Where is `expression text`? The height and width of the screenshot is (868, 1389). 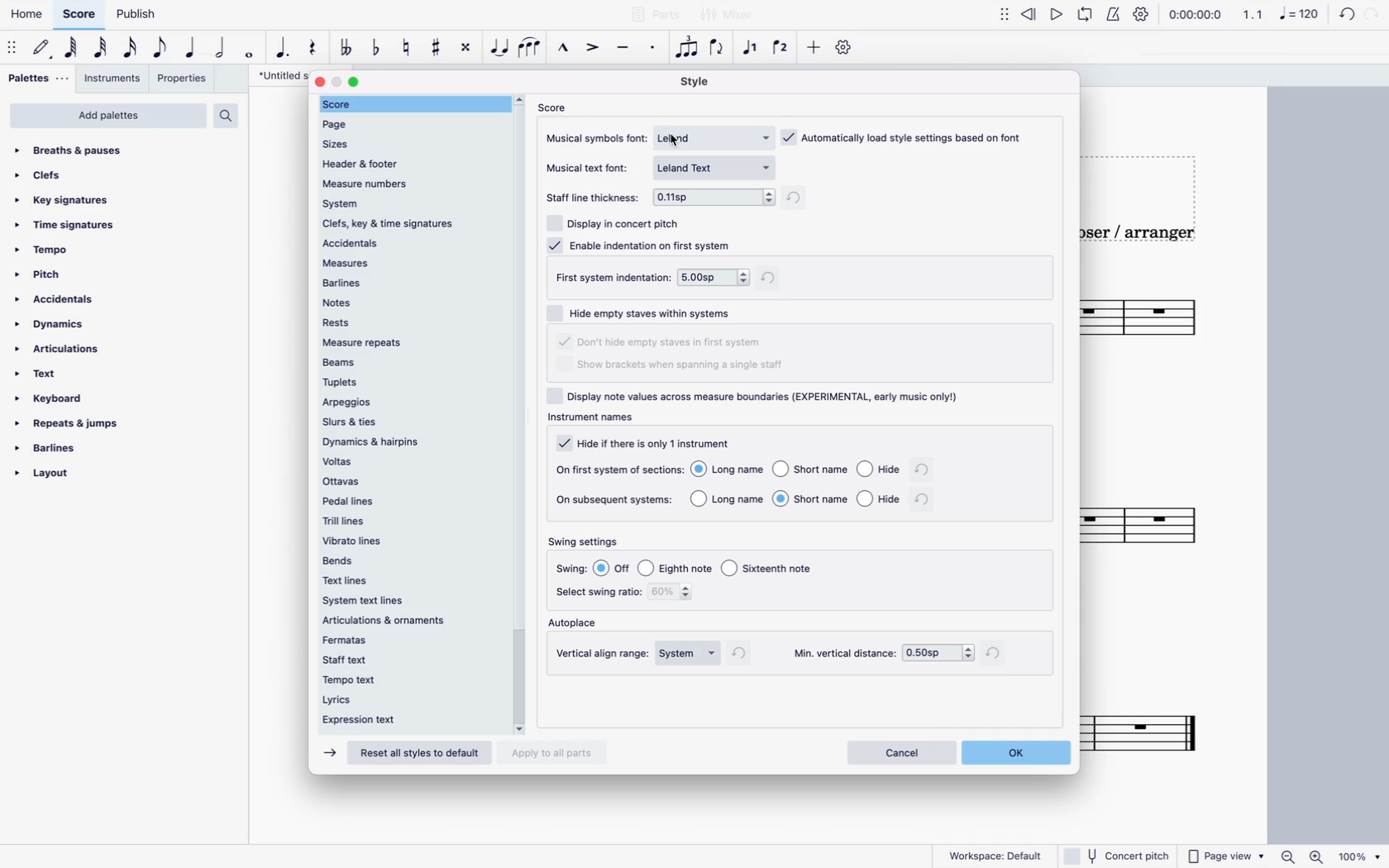 expression text is located at coordinates (407, 723).